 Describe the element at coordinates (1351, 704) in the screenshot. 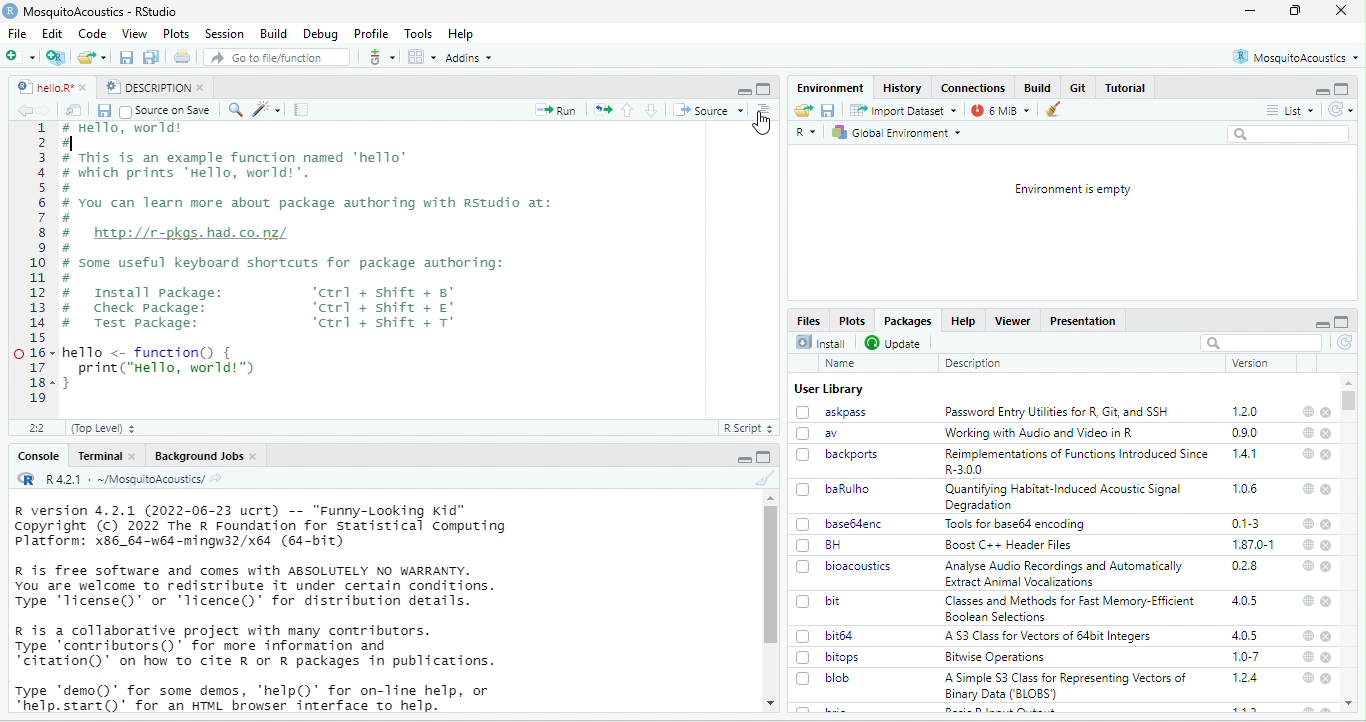

I see `scroll up` at that location.